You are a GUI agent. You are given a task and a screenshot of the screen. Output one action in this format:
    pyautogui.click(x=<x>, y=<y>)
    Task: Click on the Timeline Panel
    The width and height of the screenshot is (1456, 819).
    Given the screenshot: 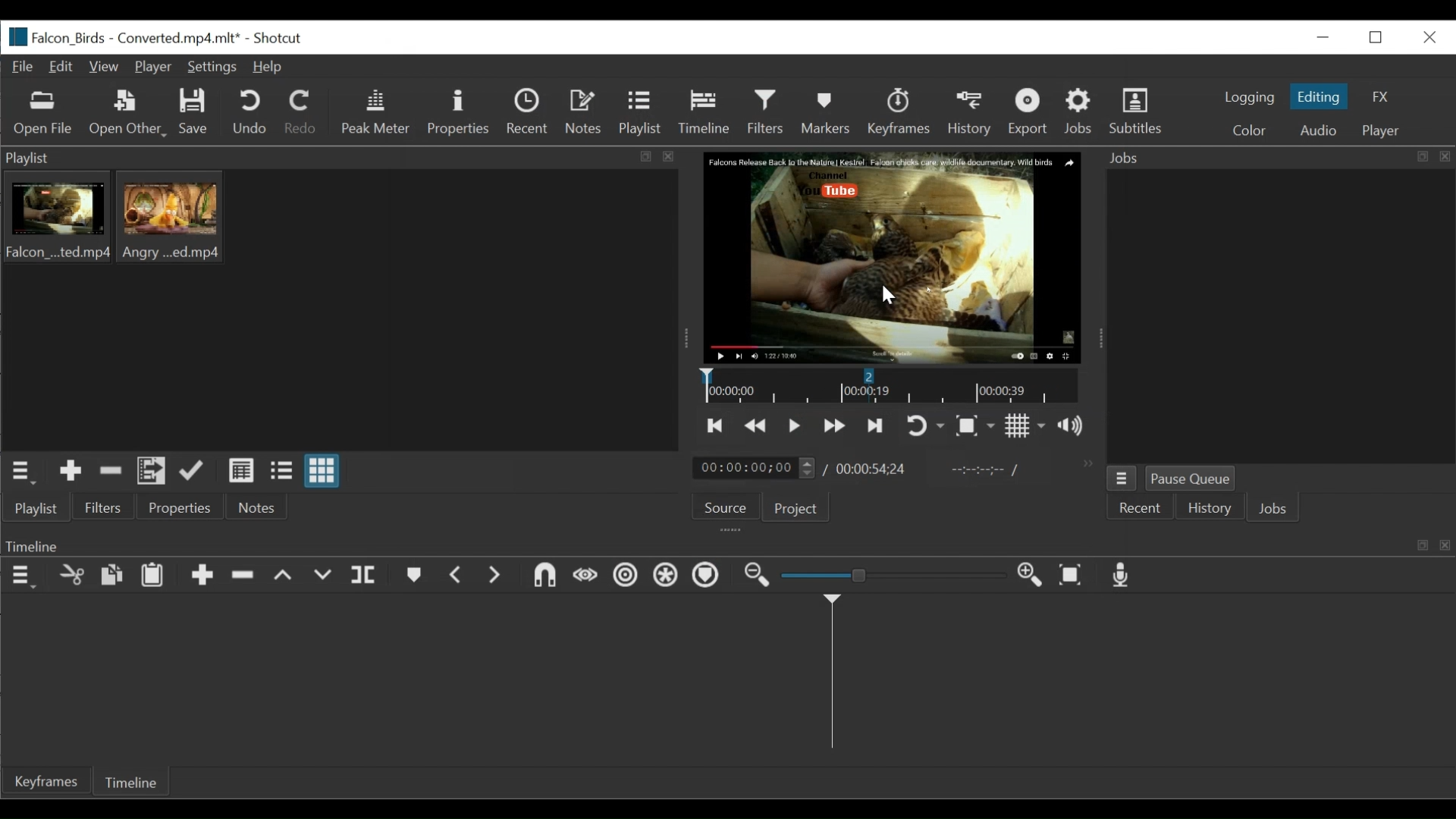 What is the action you would take?
    pyautogui.click(x=21, y=576)
    